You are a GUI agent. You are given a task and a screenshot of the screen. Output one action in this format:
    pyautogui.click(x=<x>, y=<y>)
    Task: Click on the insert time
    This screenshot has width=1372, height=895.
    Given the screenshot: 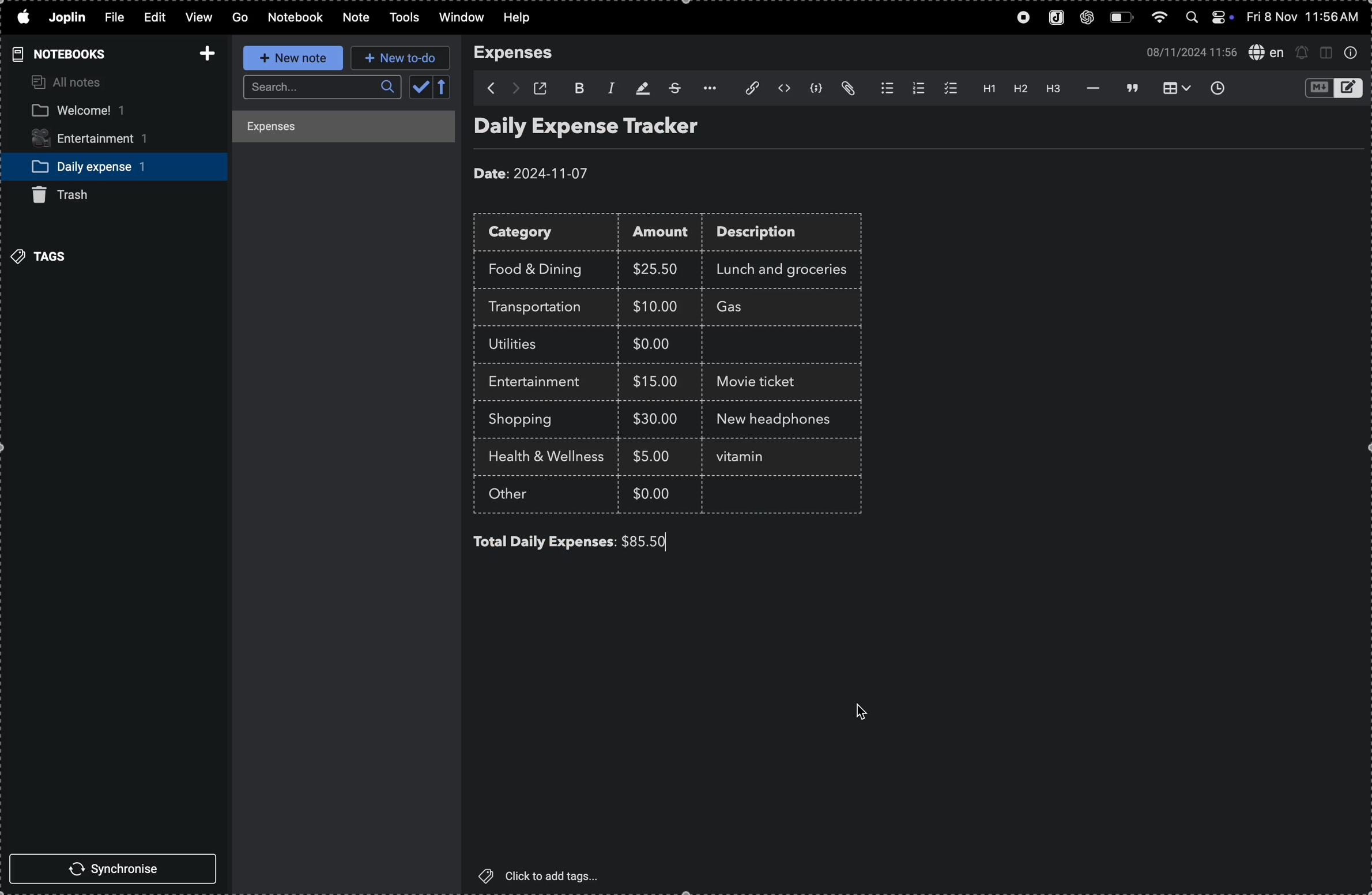 What is the action you would take?
    pyautogui.click(x=1216, y=88)
    